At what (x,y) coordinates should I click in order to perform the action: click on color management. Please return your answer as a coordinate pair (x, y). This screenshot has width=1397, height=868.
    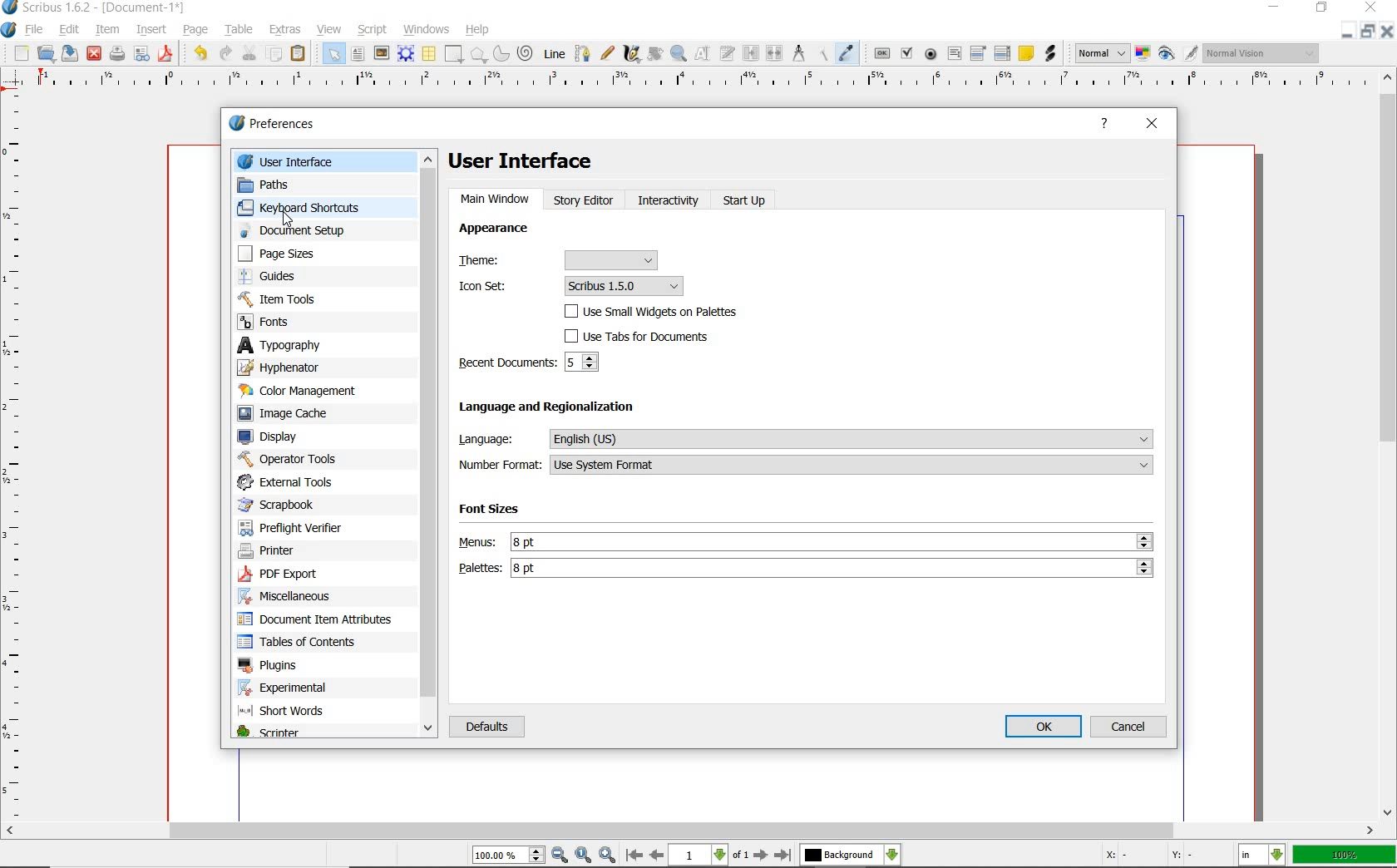
    Looking at the image, I should click on (304, 391).